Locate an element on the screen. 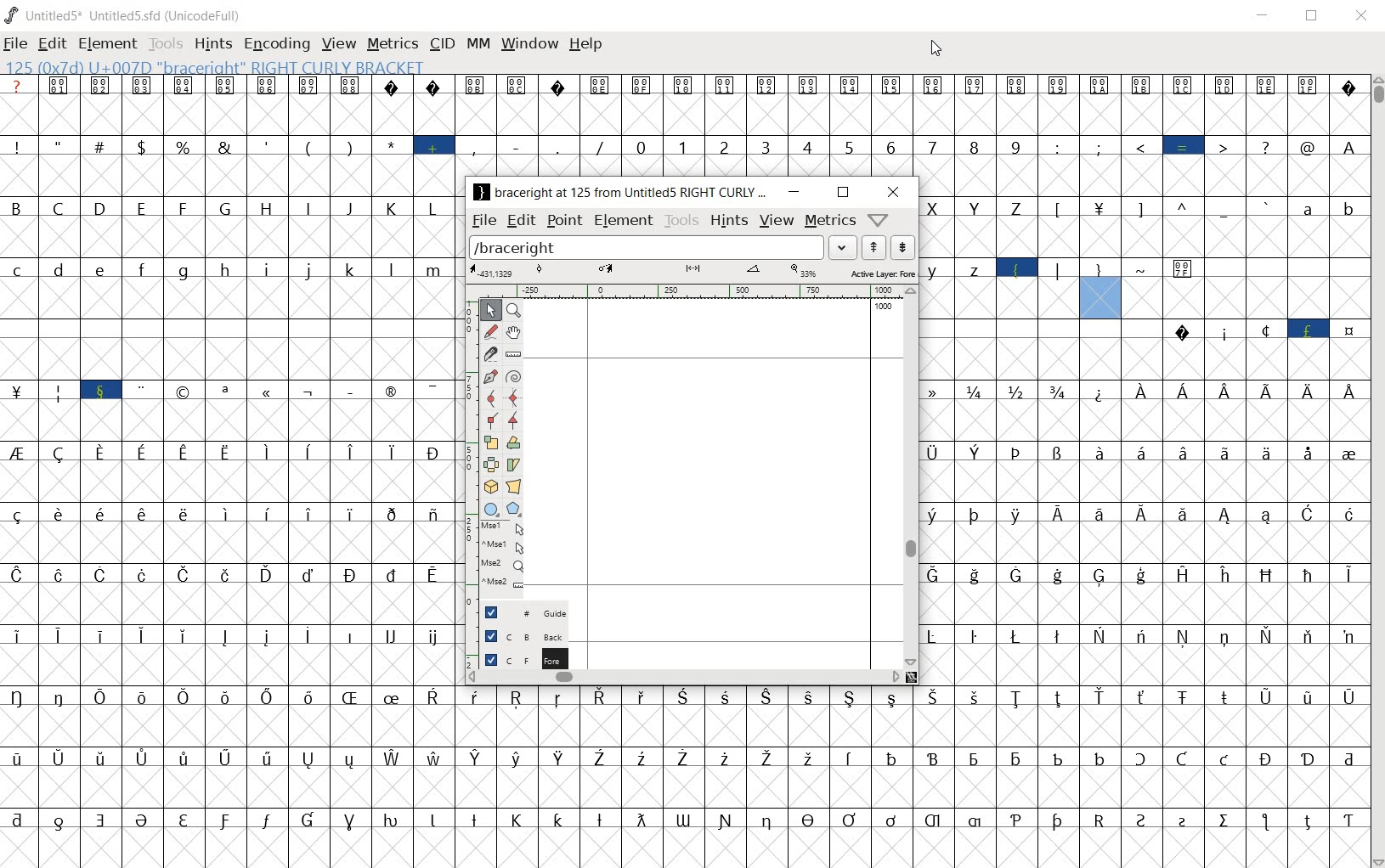  glyph characters is located at coordinates (913, 126).